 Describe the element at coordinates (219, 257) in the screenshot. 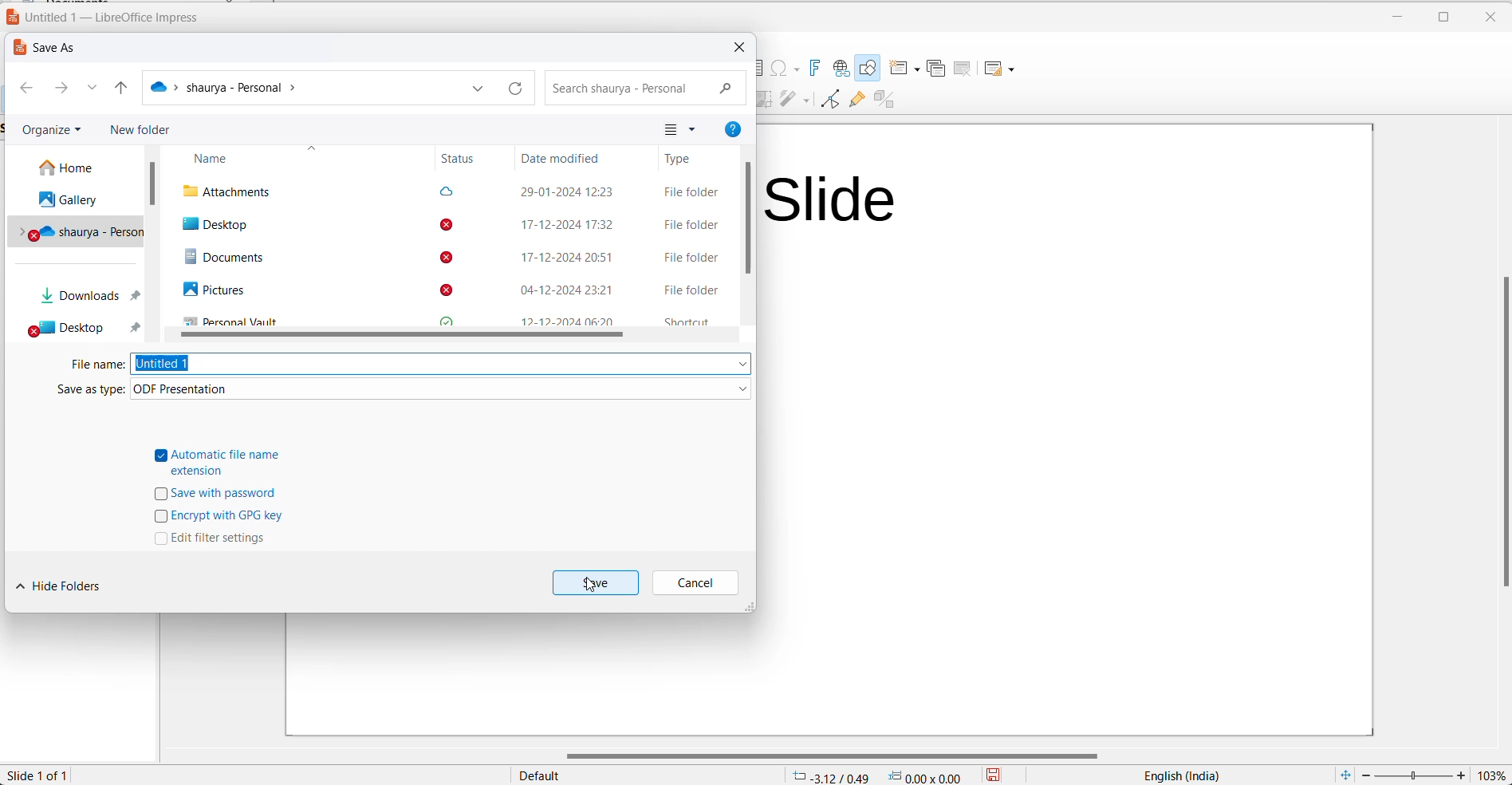

I see ` Documents` at that location.